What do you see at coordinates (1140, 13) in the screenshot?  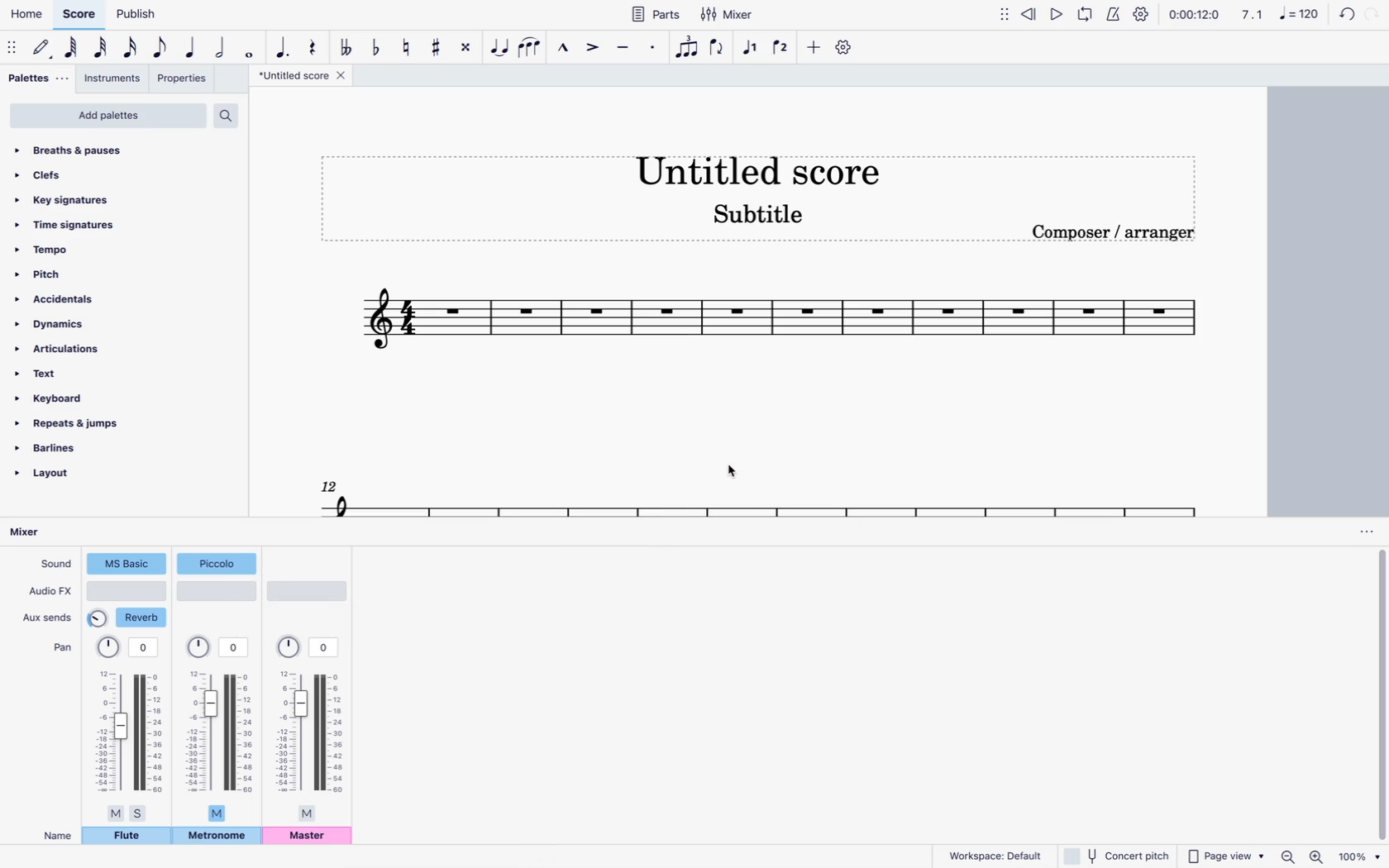 I see `settings` at bounding box center [1140, 13].